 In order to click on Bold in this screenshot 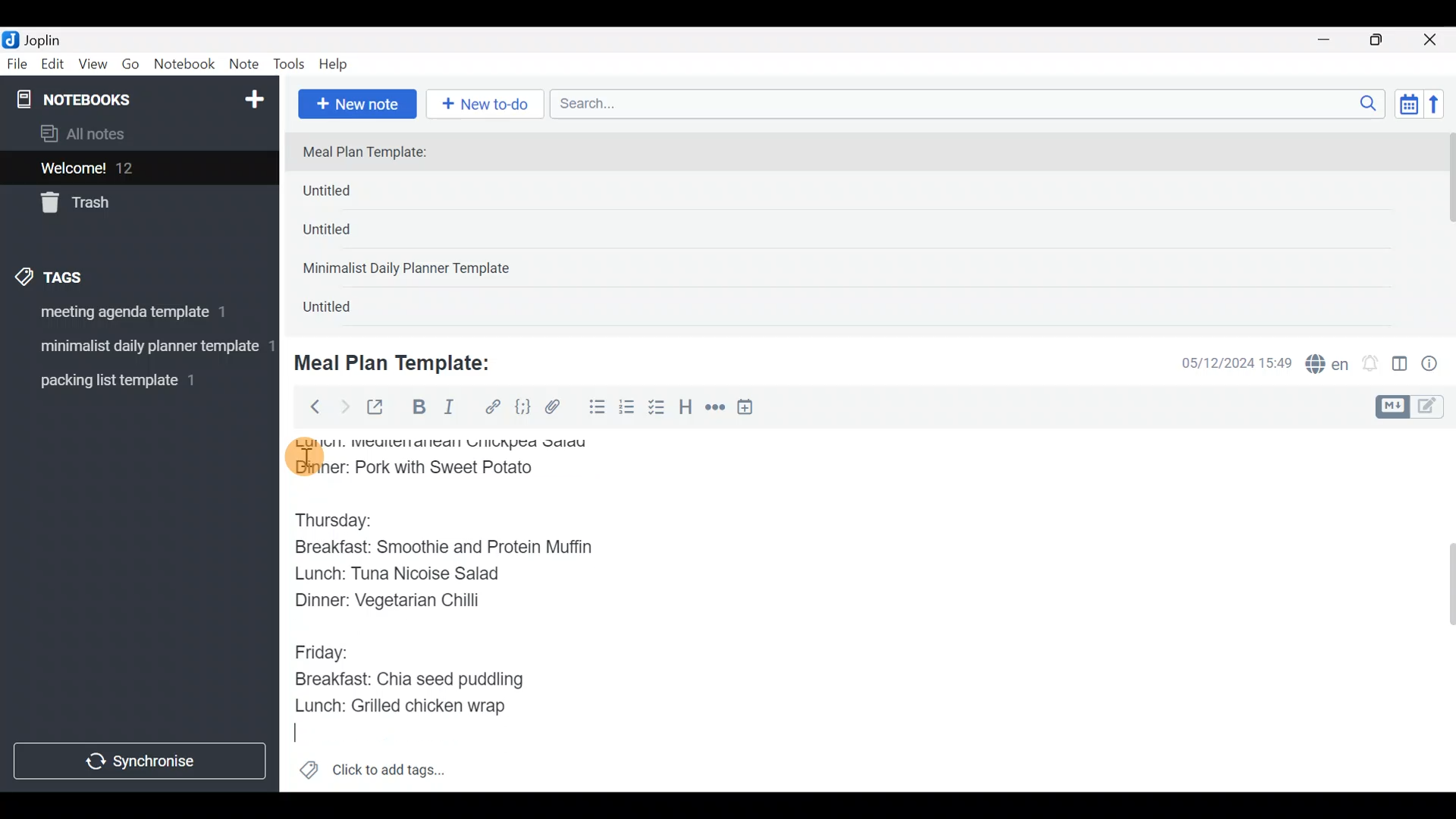, I will do `click(418, 409)`.